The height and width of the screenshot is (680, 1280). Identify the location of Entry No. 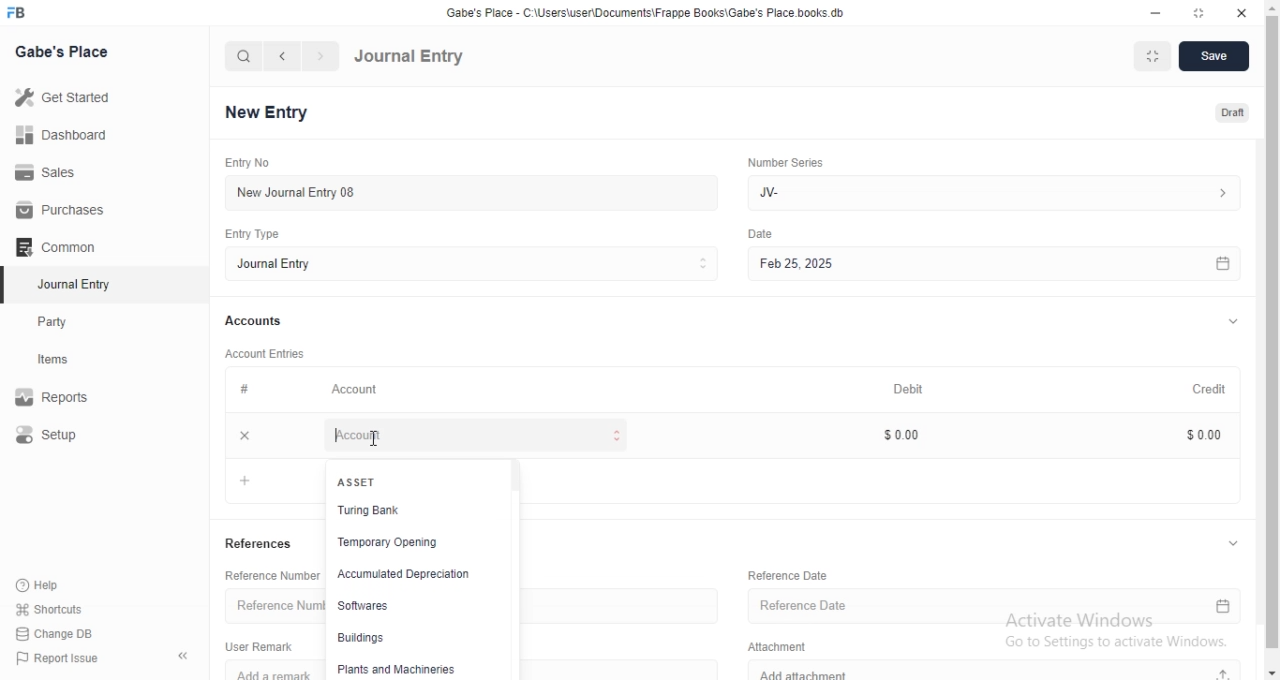
(245, 161).